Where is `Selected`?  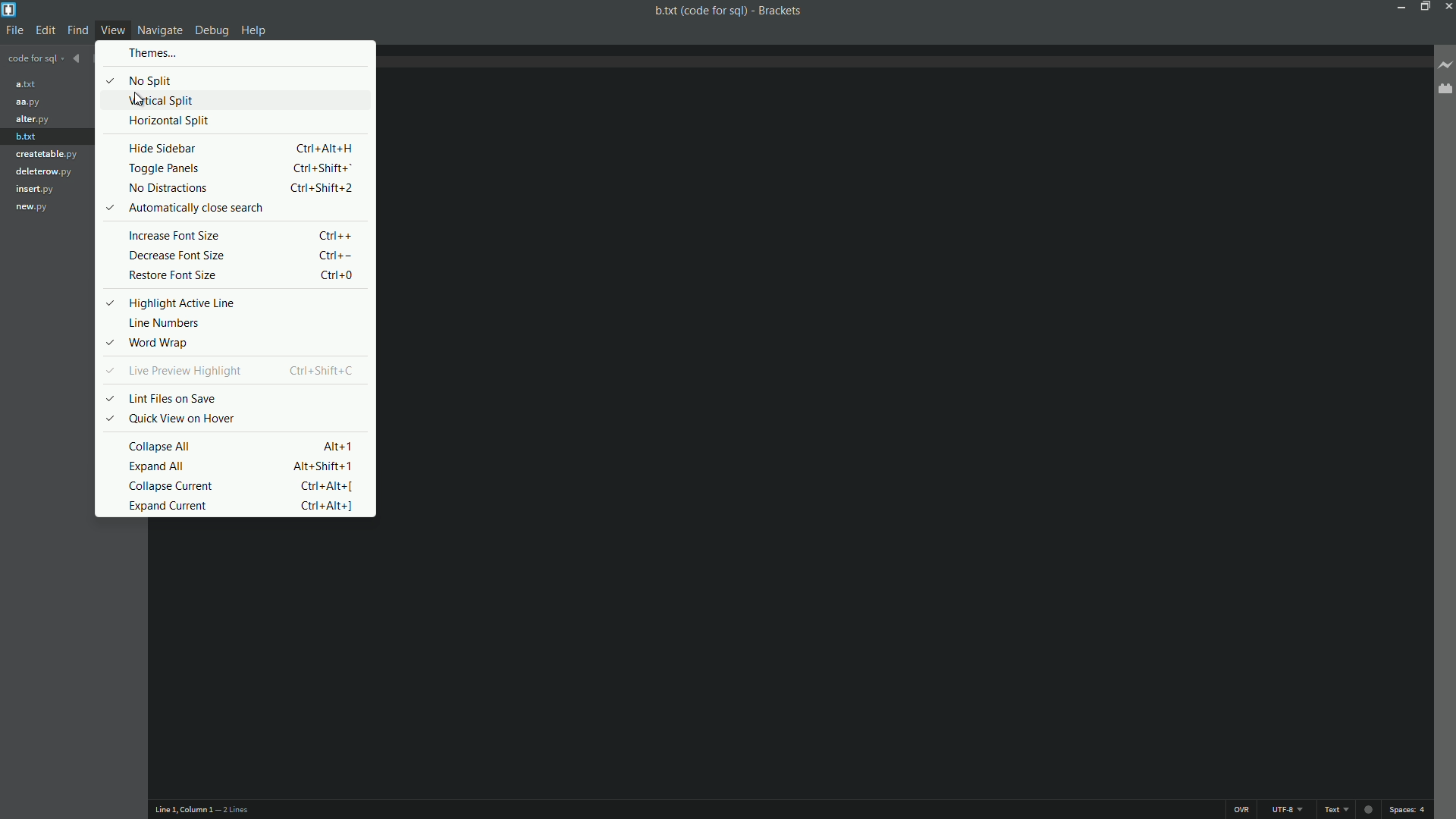
Selected is located at coordinates (111, 422).